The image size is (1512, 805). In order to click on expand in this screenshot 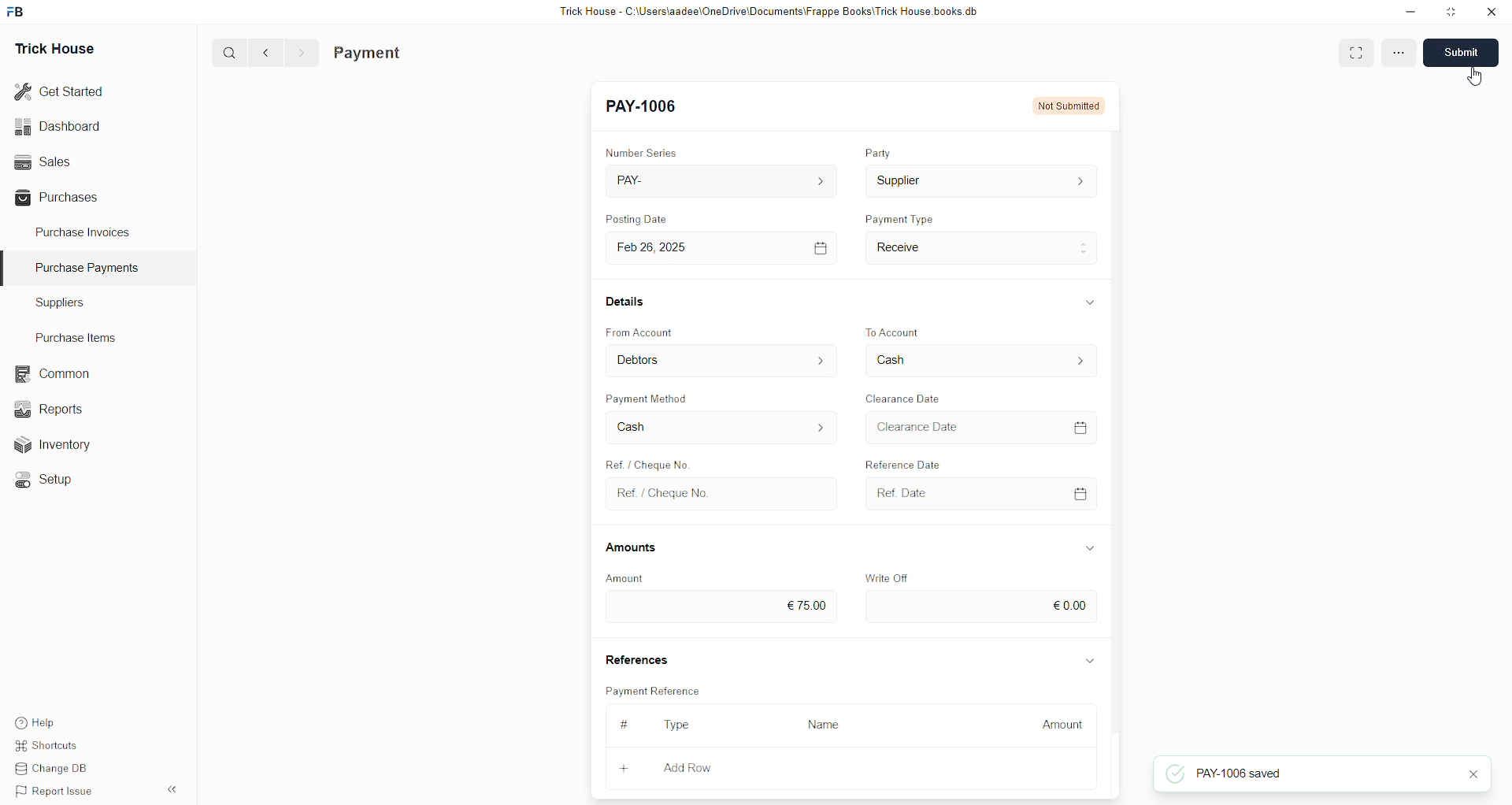, I will do `click(175, 789)`.